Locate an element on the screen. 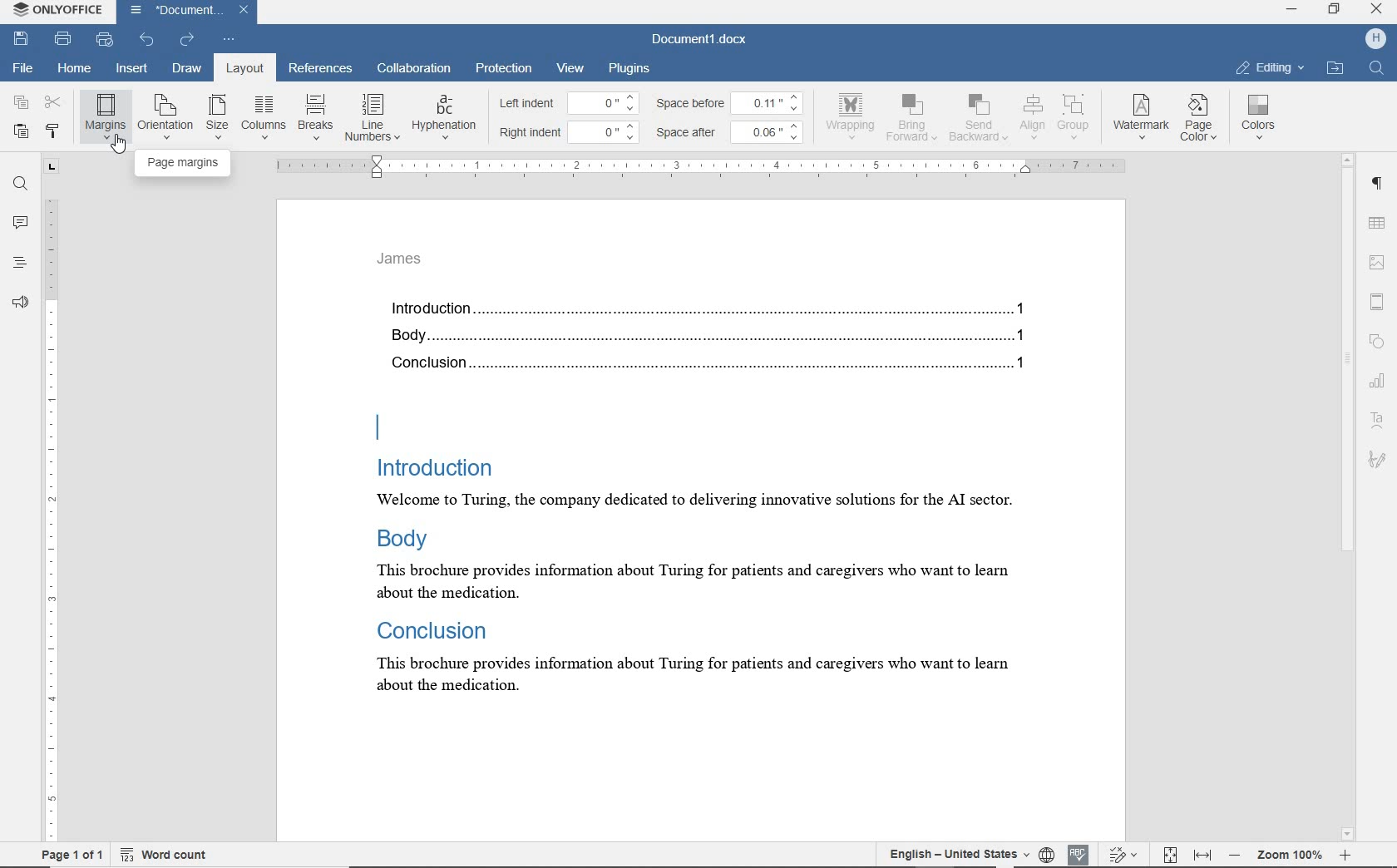 This screenshot has height=868, width=1397. send backward is located at coordinates (978, 120).